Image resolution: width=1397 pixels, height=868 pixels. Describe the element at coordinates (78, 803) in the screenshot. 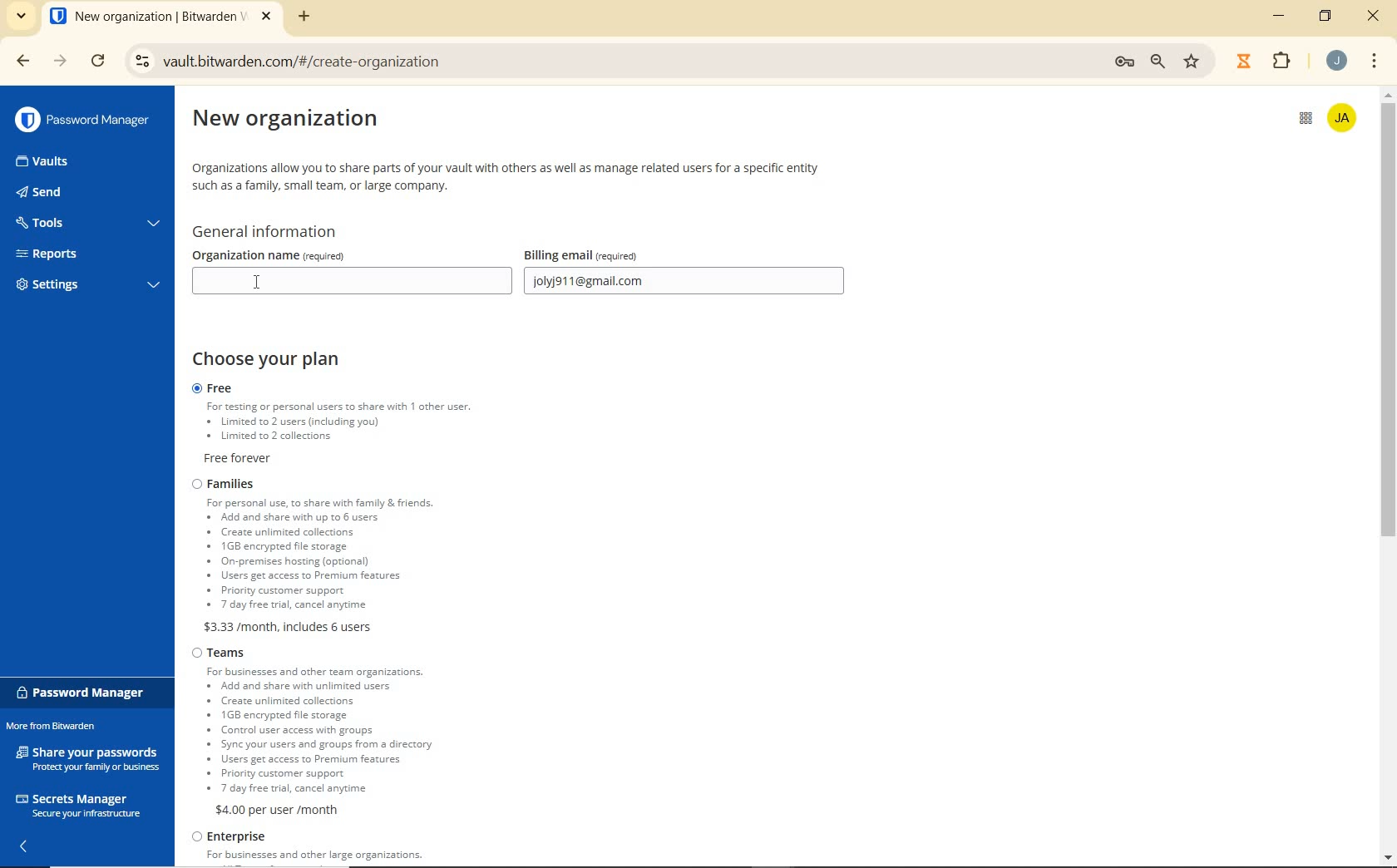

I see `secrets manager` at that location.